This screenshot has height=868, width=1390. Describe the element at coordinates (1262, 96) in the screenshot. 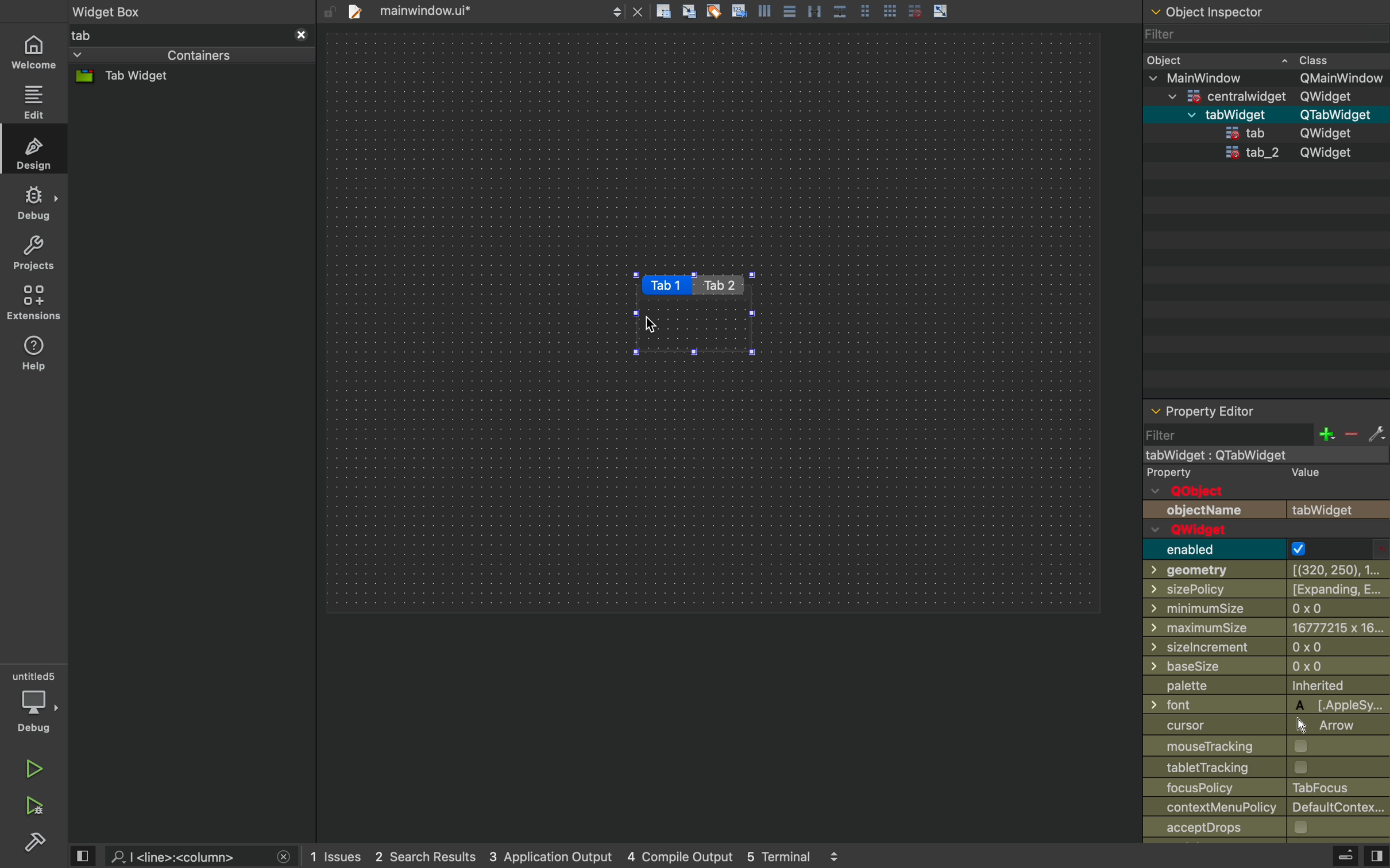

I see `centra widget` at that location.